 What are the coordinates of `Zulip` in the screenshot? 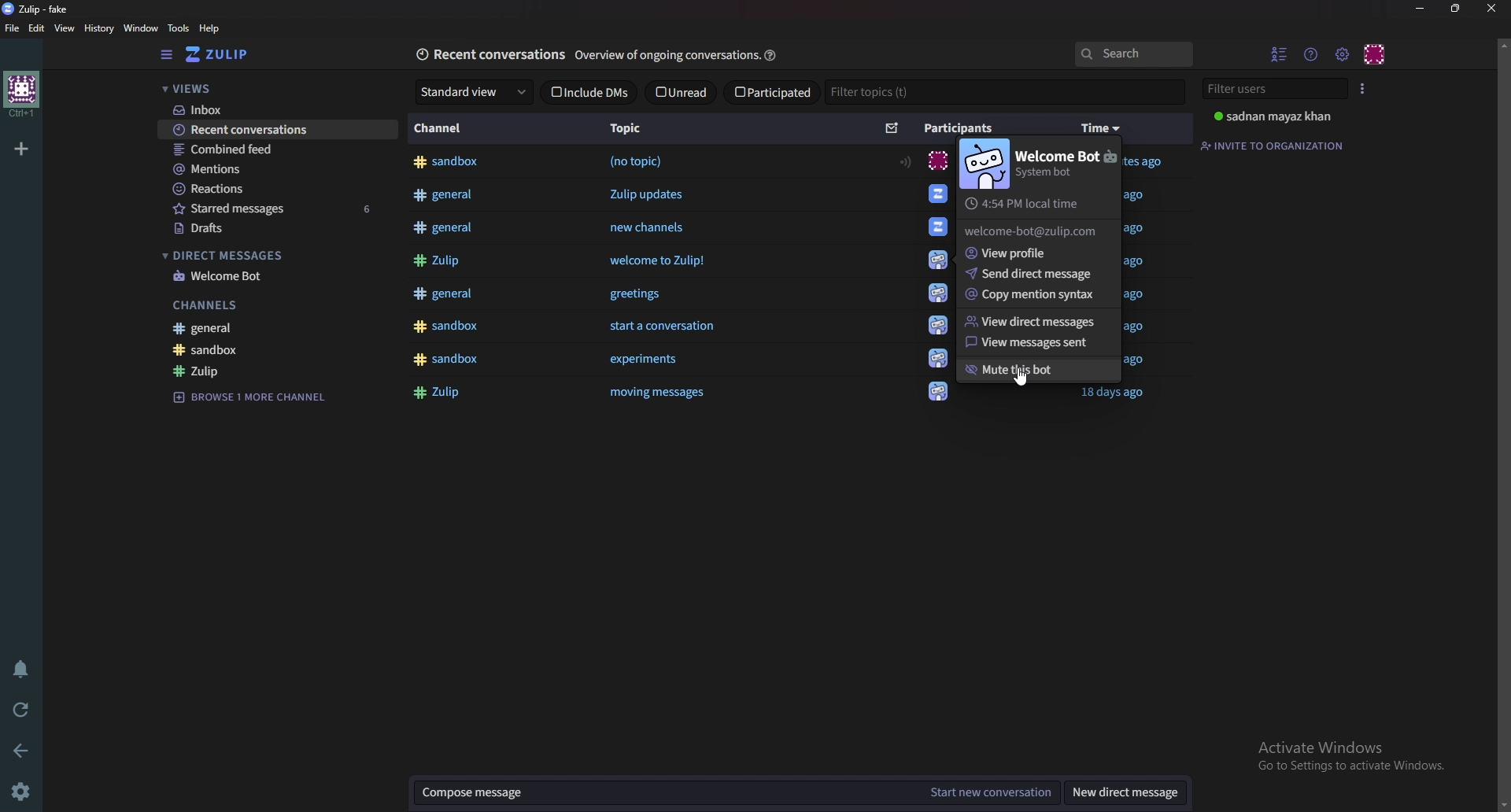 It's located at (278, 369).